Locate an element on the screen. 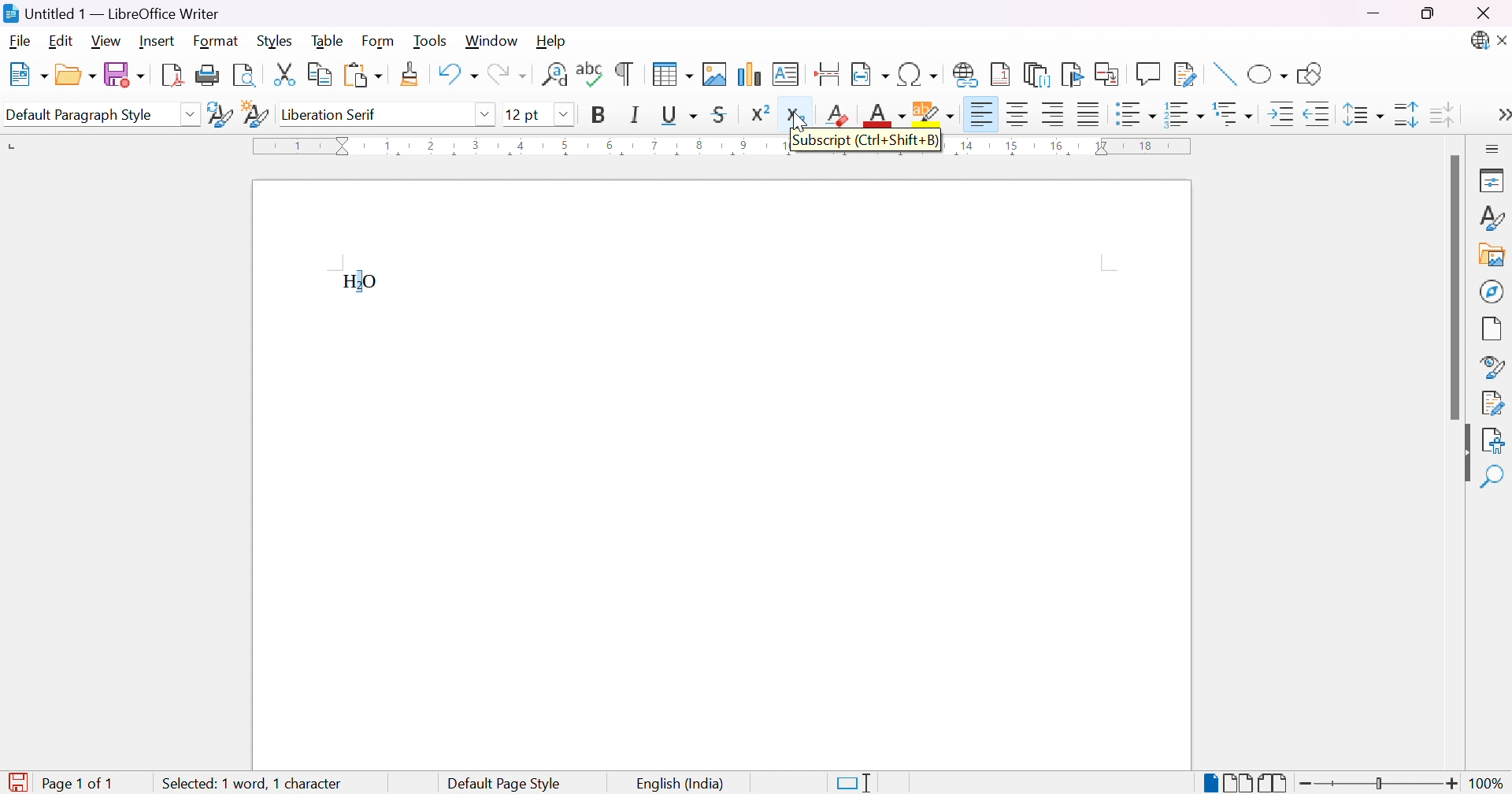 The image size is (1512, 794). Insert special characters is located at coordinates (919, 75).